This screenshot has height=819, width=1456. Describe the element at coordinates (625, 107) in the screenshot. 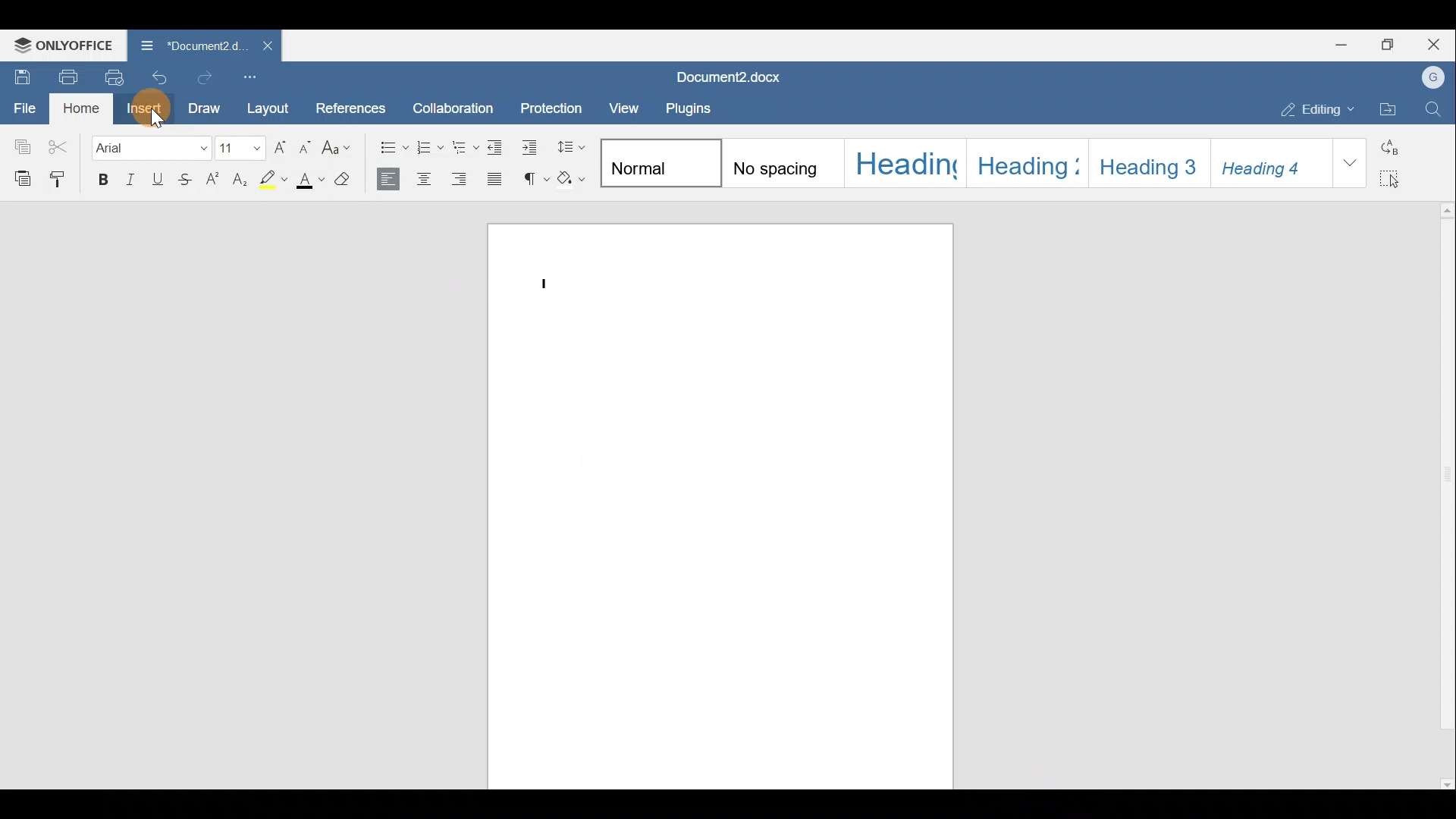

I see `View` at that location.